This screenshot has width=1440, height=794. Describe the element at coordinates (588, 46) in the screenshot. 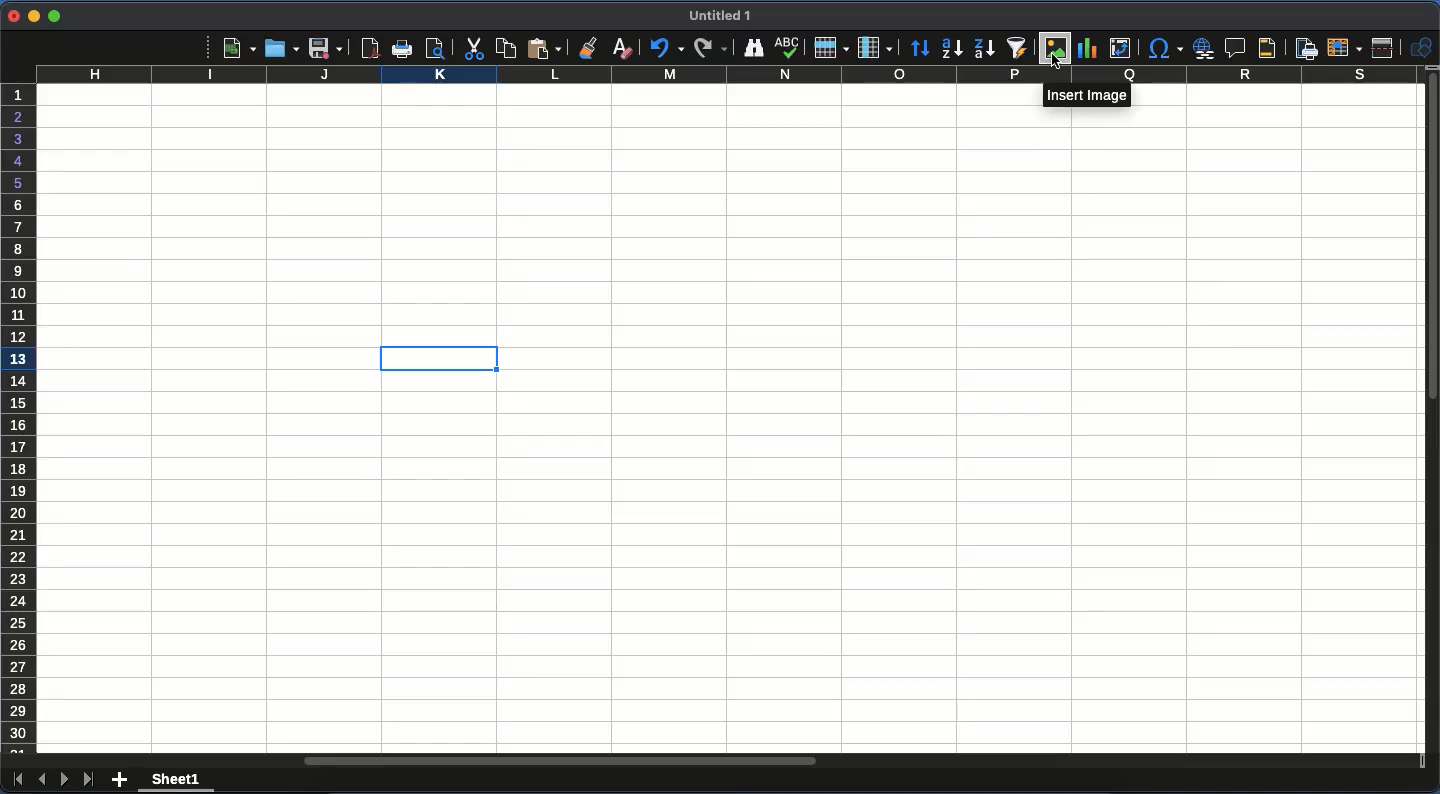

I see `clone formatting` at that location.